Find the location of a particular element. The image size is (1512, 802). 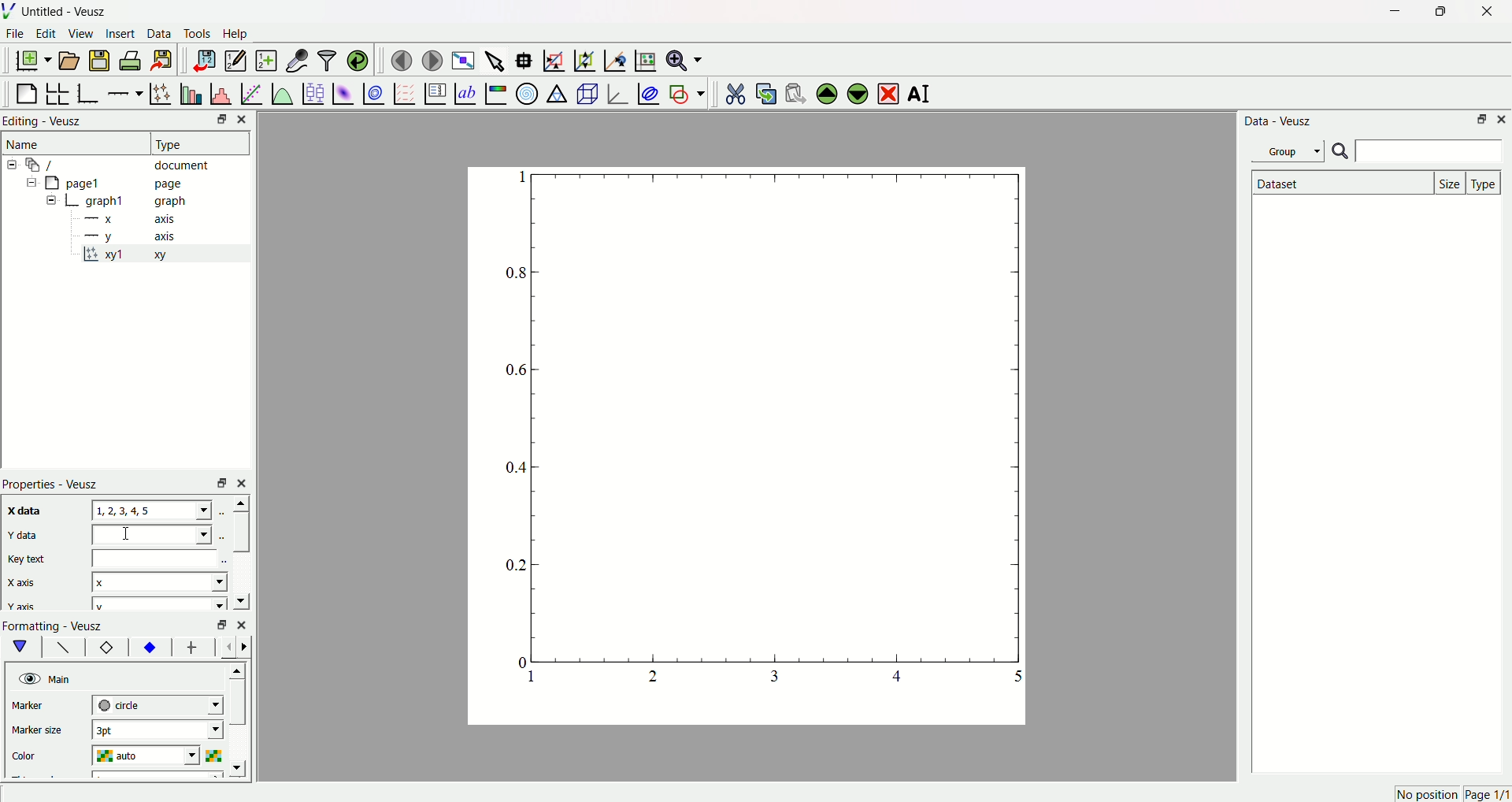

reload linked datasets is located at coordinates (358, 58).